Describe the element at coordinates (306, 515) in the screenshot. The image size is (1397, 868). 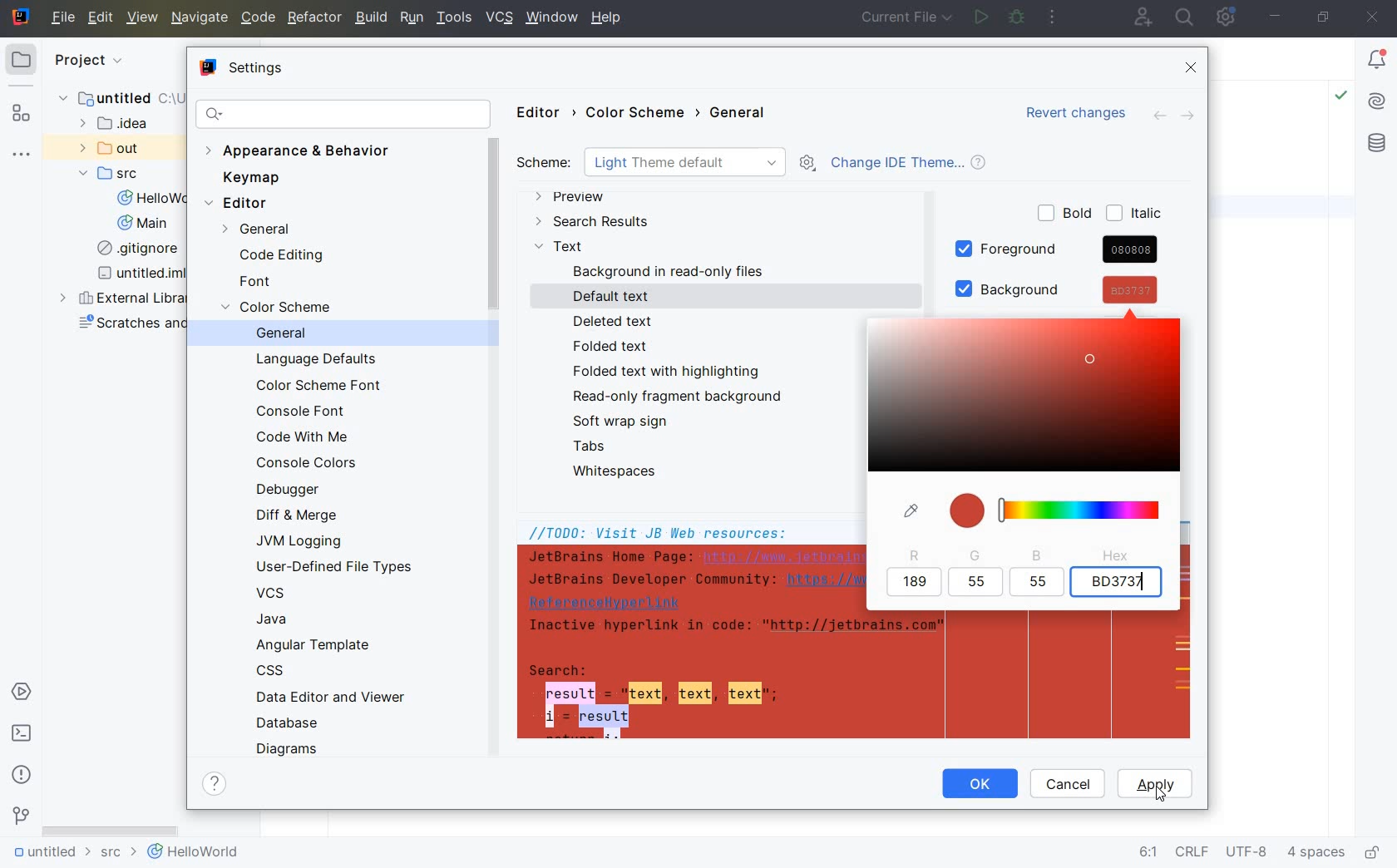
I see `DIFF & MERGE` at that location.